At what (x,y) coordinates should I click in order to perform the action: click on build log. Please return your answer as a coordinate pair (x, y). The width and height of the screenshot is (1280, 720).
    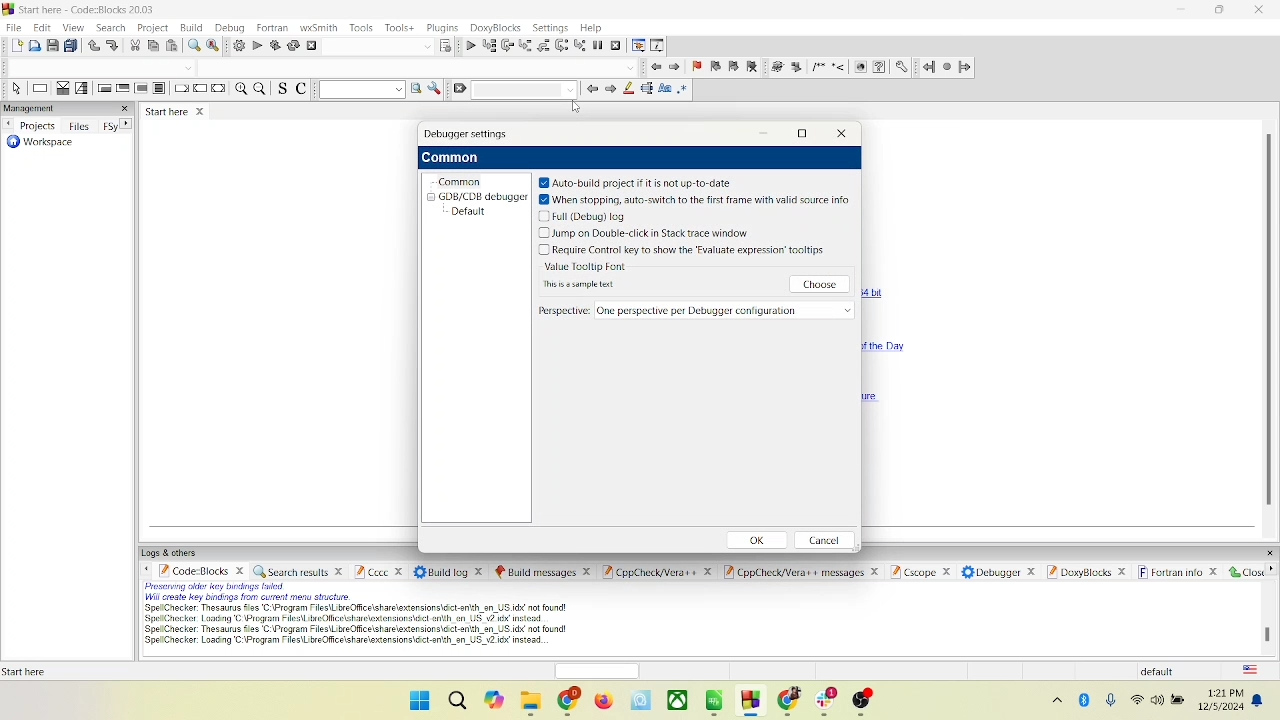
    Looking at the image, I should click on (451, 572).